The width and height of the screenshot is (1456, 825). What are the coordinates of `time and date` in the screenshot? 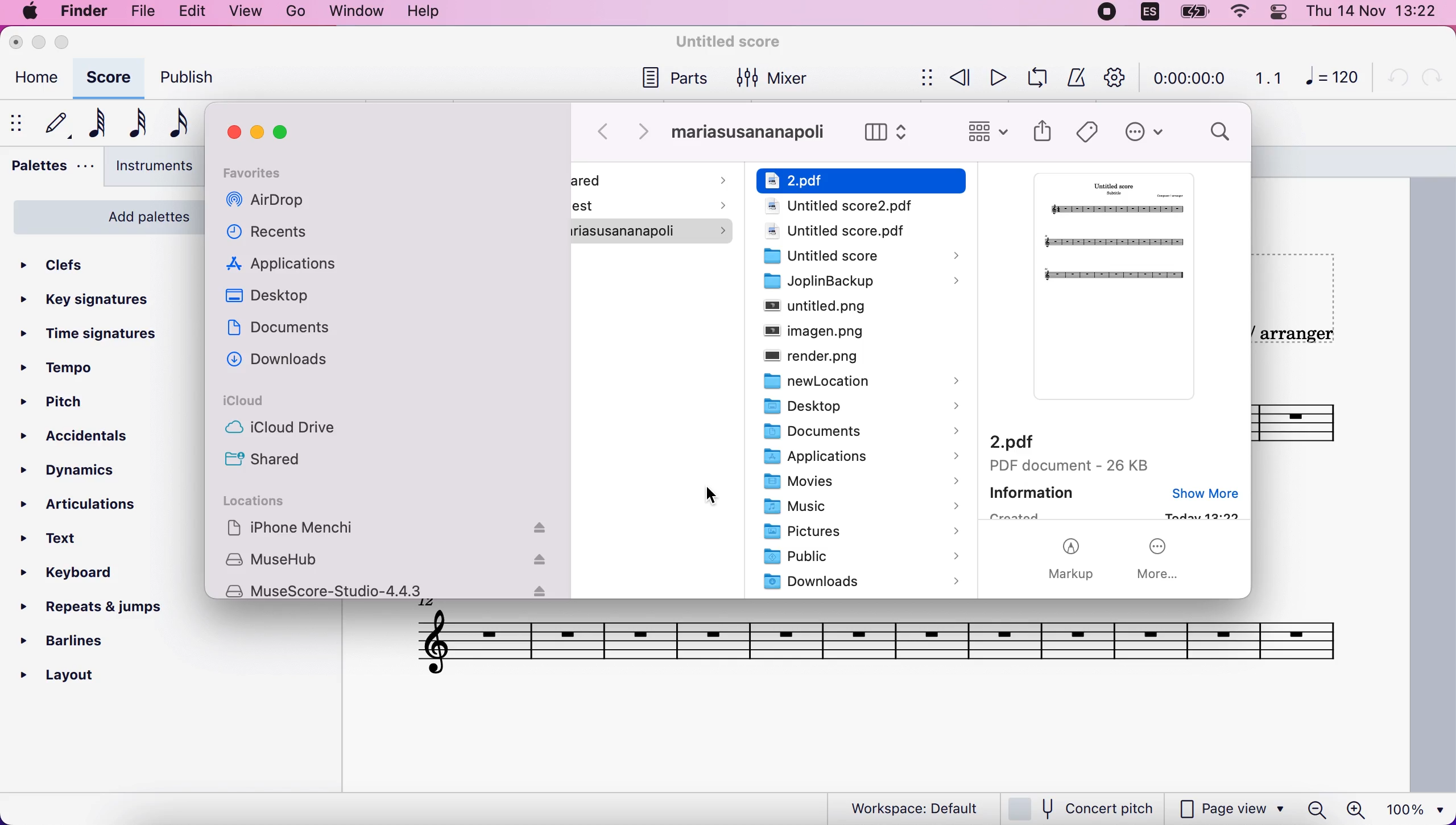 It's located at (1376, 14).